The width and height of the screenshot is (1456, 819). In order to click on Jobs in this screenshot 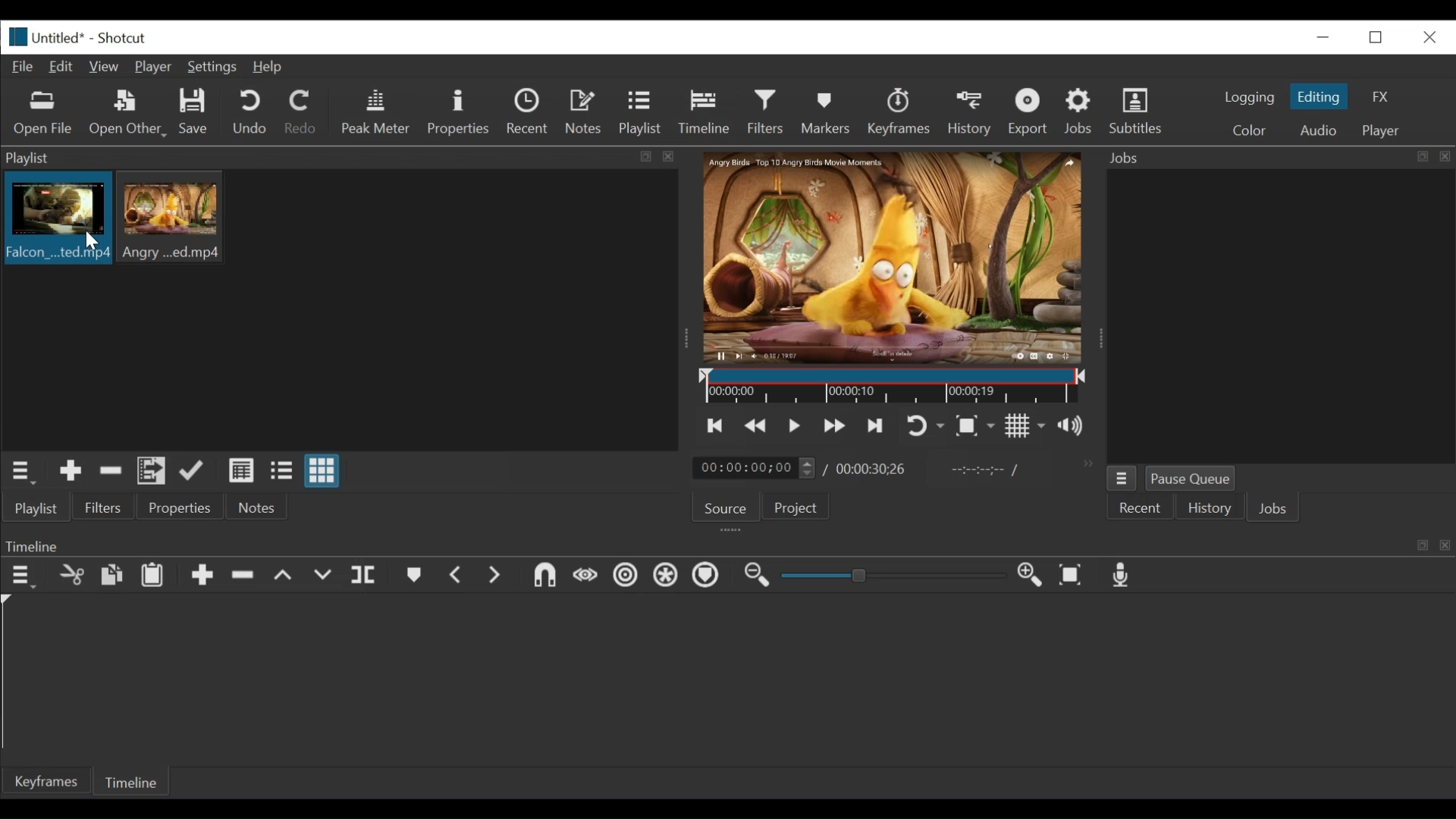, I will do `click(1081, 111)`.